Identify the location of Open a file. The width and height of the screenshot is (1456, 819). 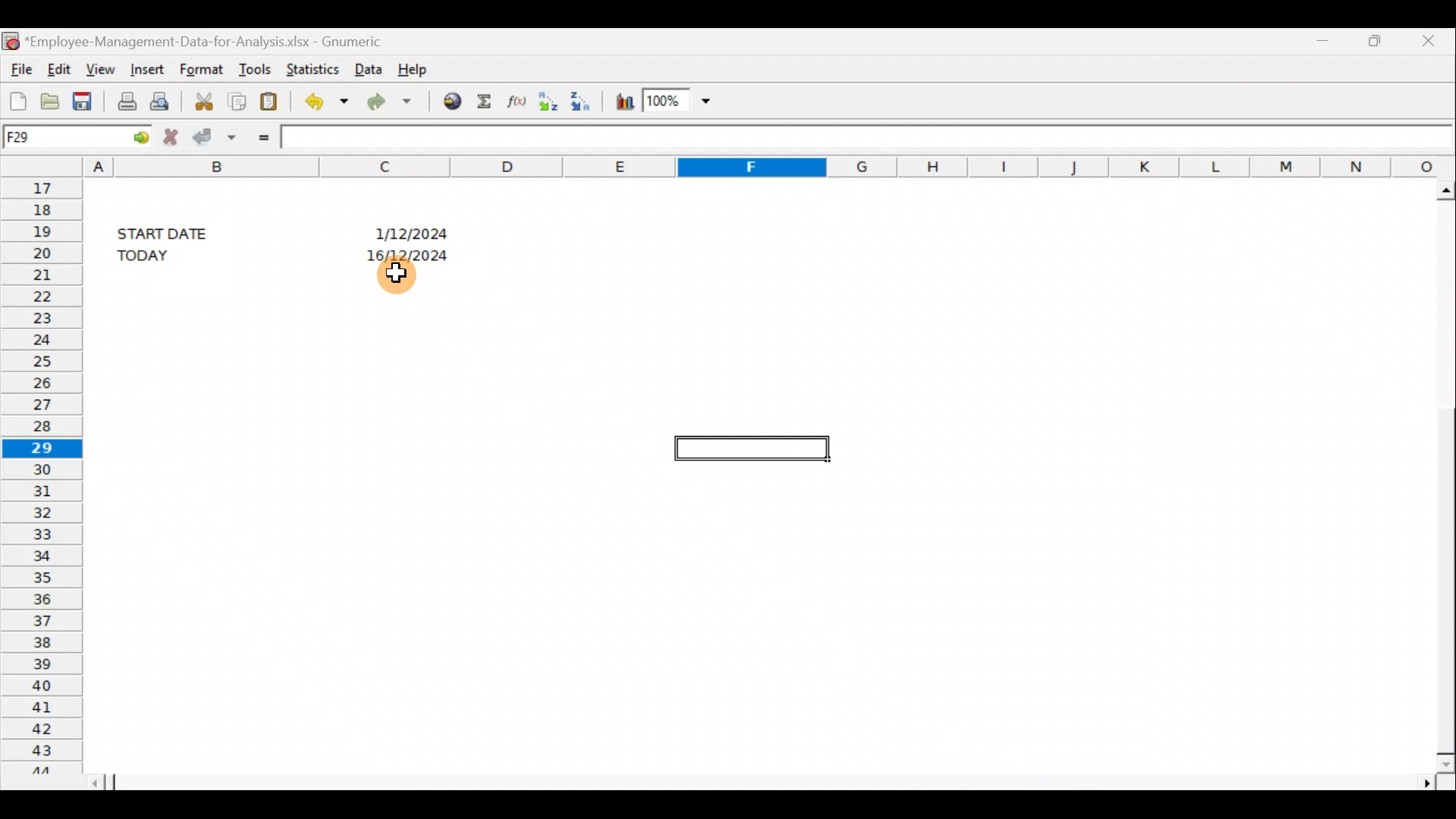
(49, 99).